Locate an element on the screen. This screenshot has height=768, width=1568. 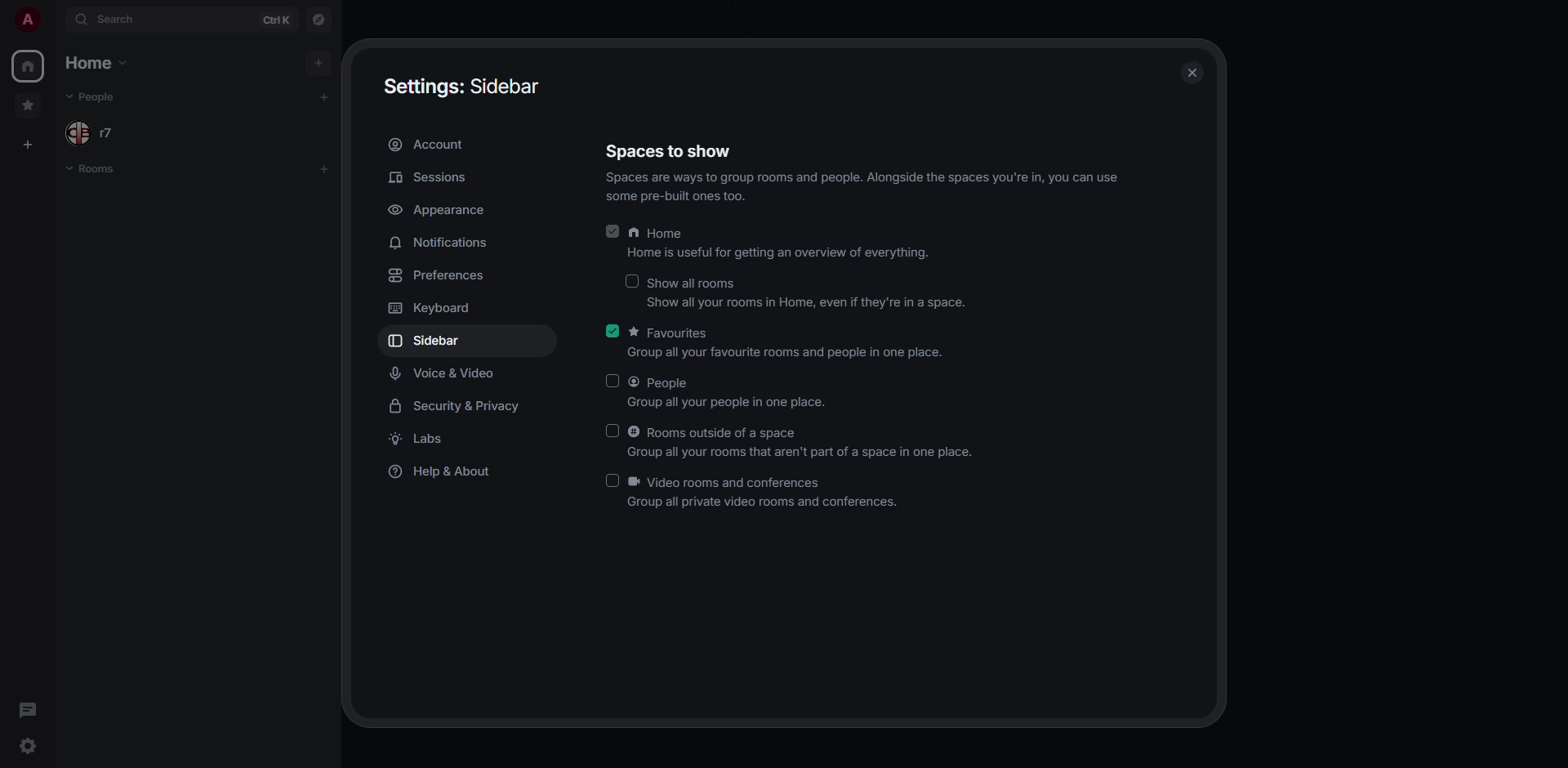
Spaces to show is located at coordinates (666, 151).